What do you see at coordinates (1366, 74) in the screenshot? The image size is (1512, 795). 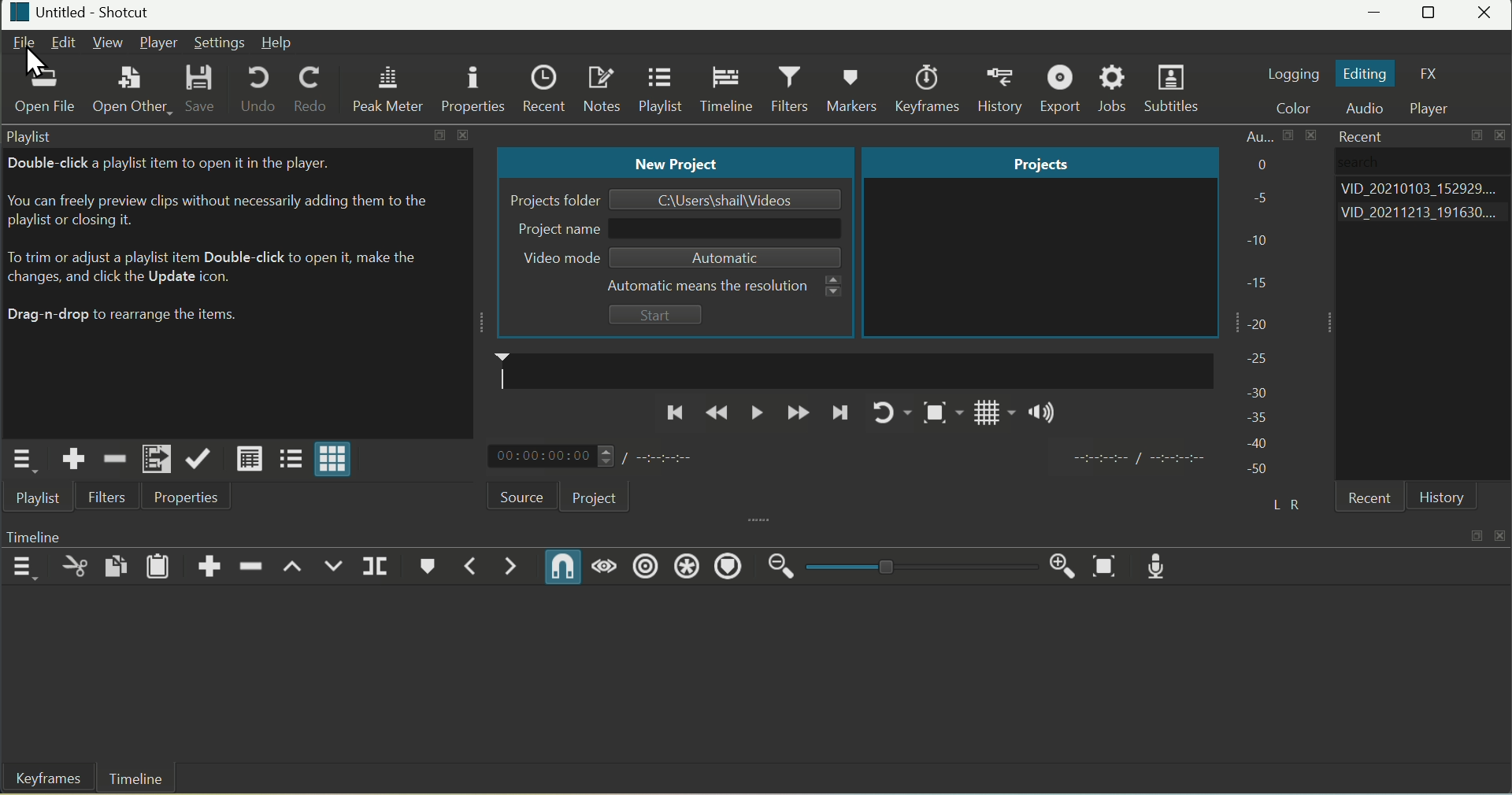 I see `Editing` at bounding box center [1366, 74].